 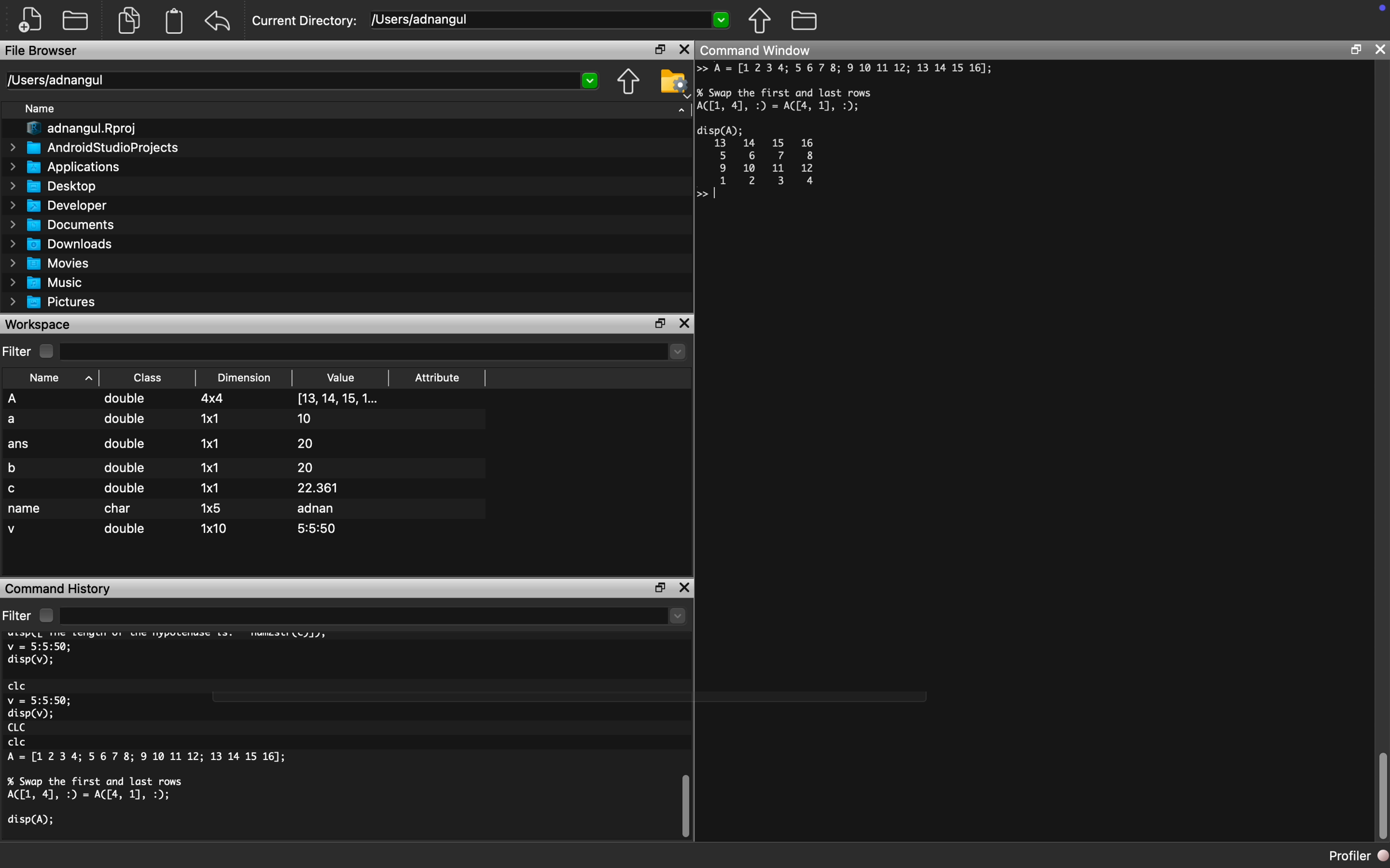 I want to click on Hide, so click(x=678, y=111).